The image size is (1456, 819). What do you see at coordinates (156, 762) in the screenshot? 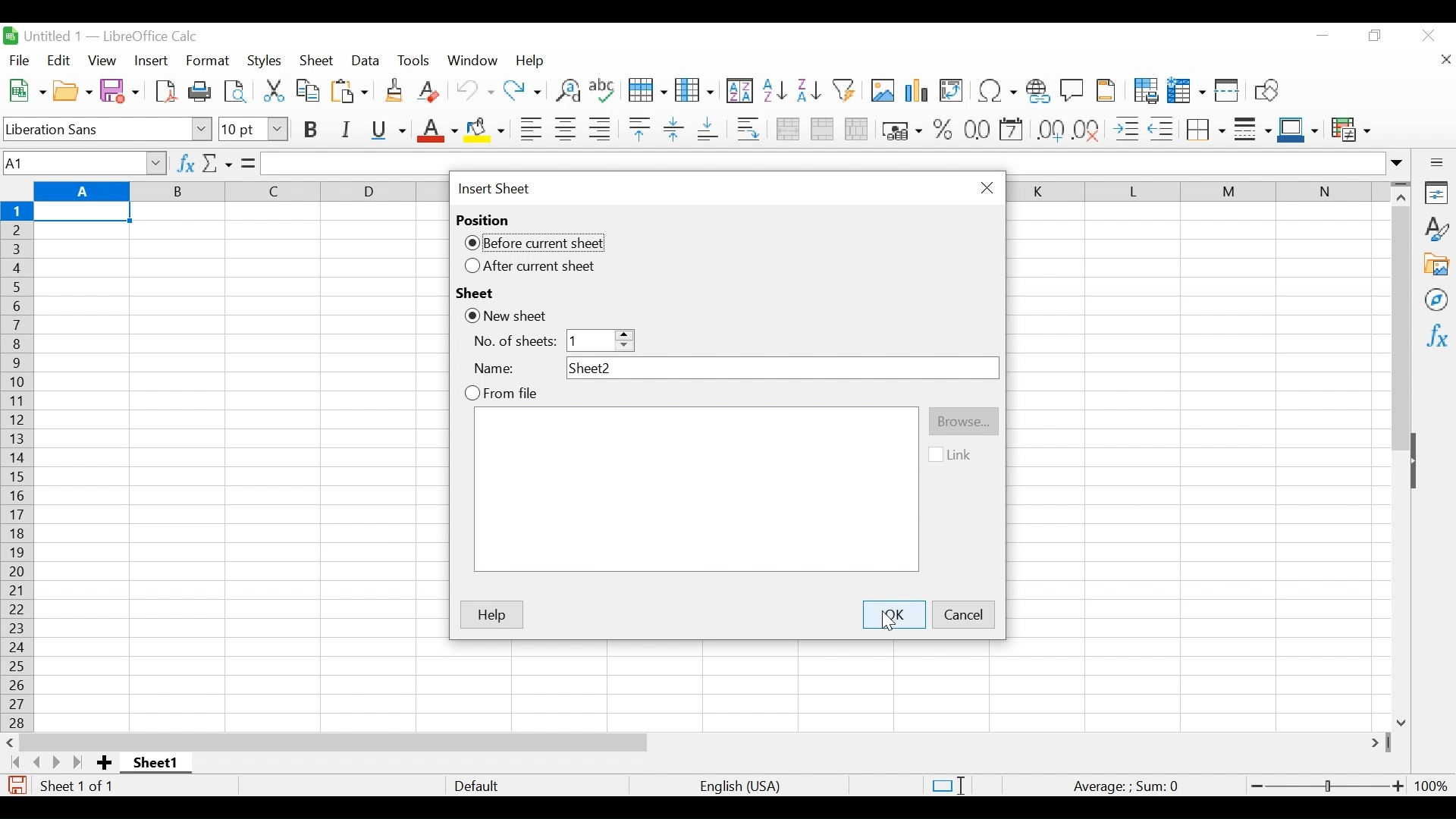
I see `Sheet name` at bounding box center [156, 762].